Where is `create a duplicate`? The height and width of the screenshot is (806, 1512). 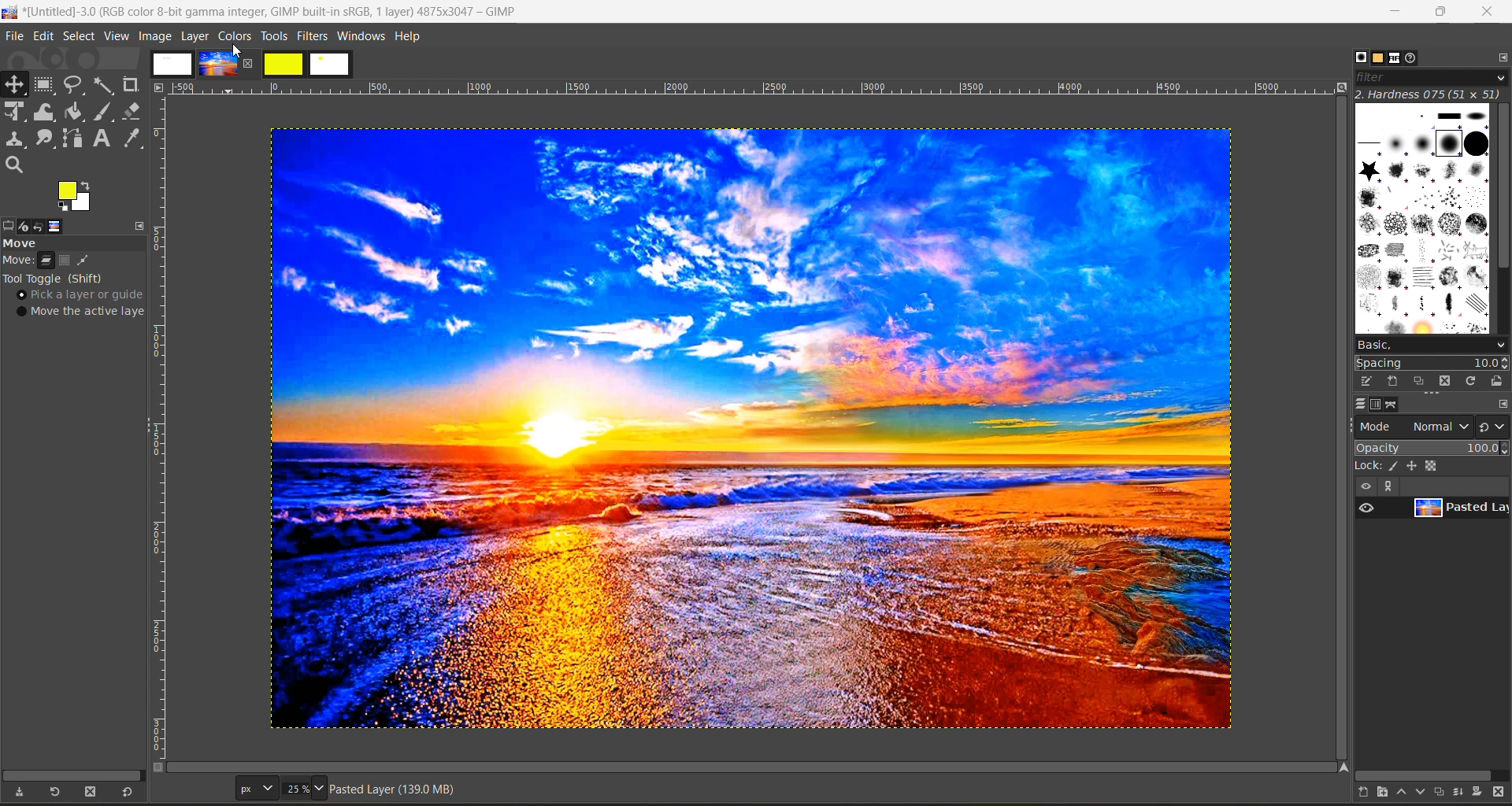
create a duplicate is located at coordinates (1442, 791).